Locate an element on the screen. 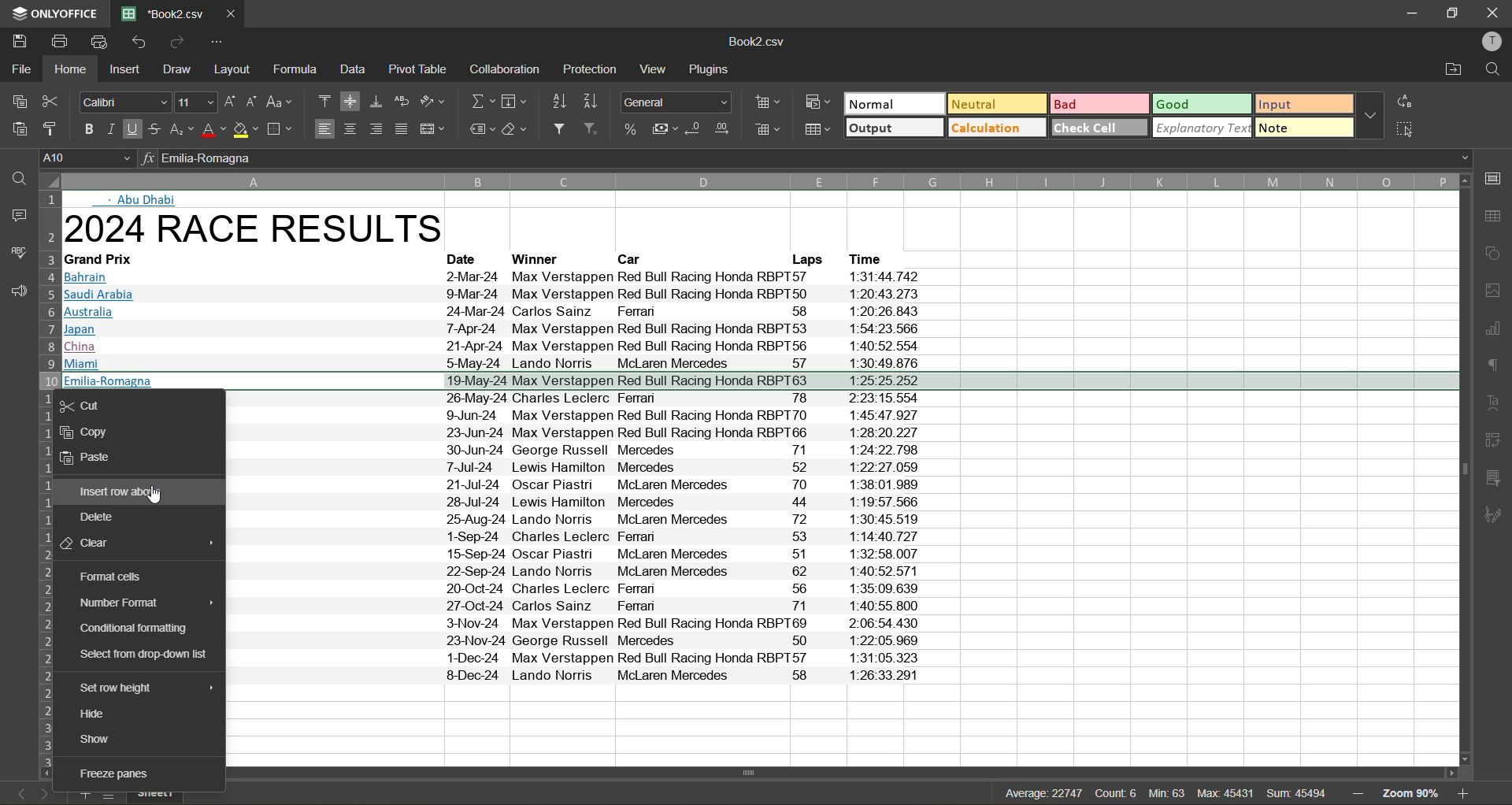  ILas Vegas 23-Nov-24 George Russell Mercedes 50 1-22:05.969 is located at coordinates (577, 642).